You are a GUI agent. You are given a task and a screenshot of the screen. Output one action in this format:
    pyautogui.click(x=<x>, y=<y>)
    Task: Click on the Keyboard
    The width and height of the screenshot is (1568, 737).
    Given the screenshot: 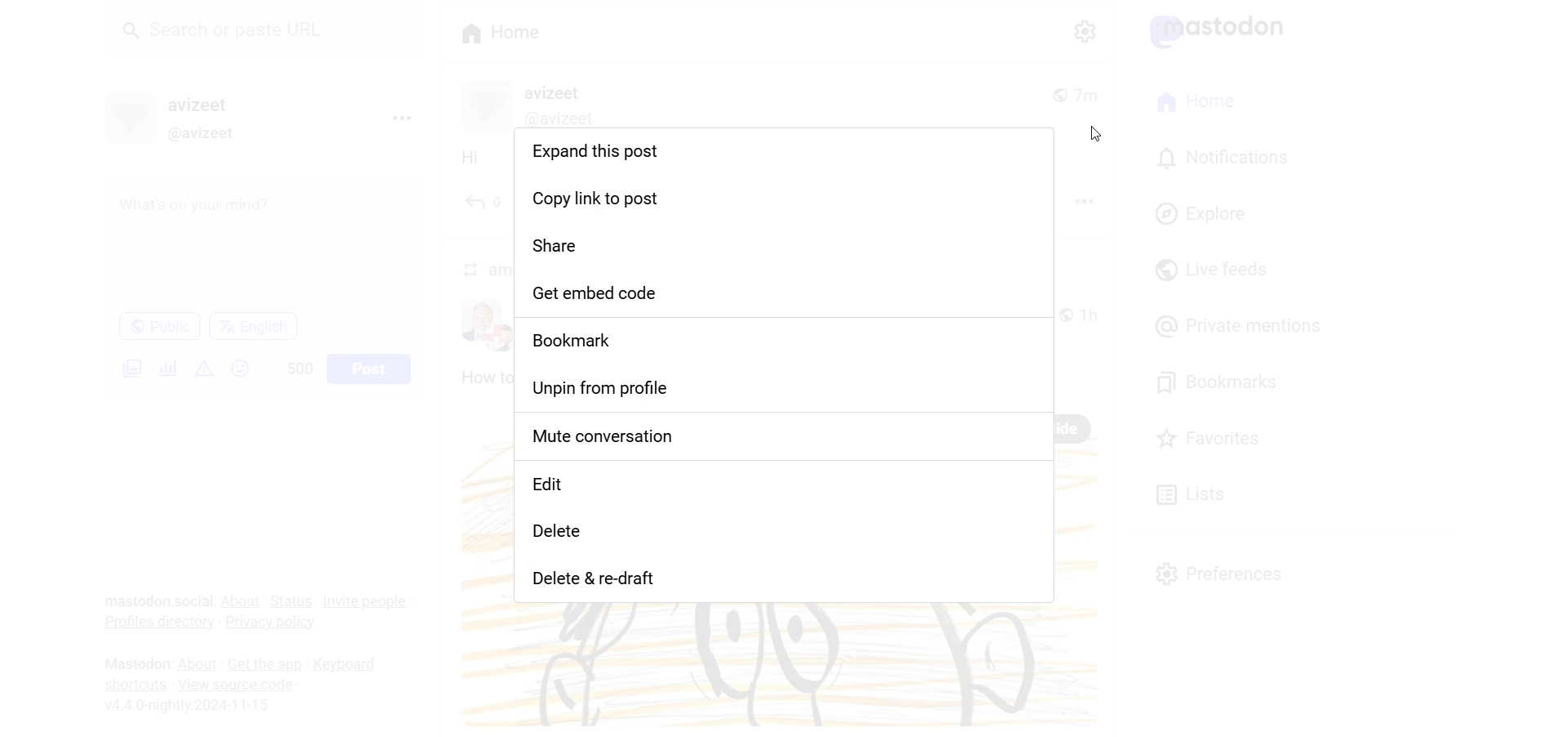 What is the action you would take?
    pyautogui.click(x=350, y=664)
    